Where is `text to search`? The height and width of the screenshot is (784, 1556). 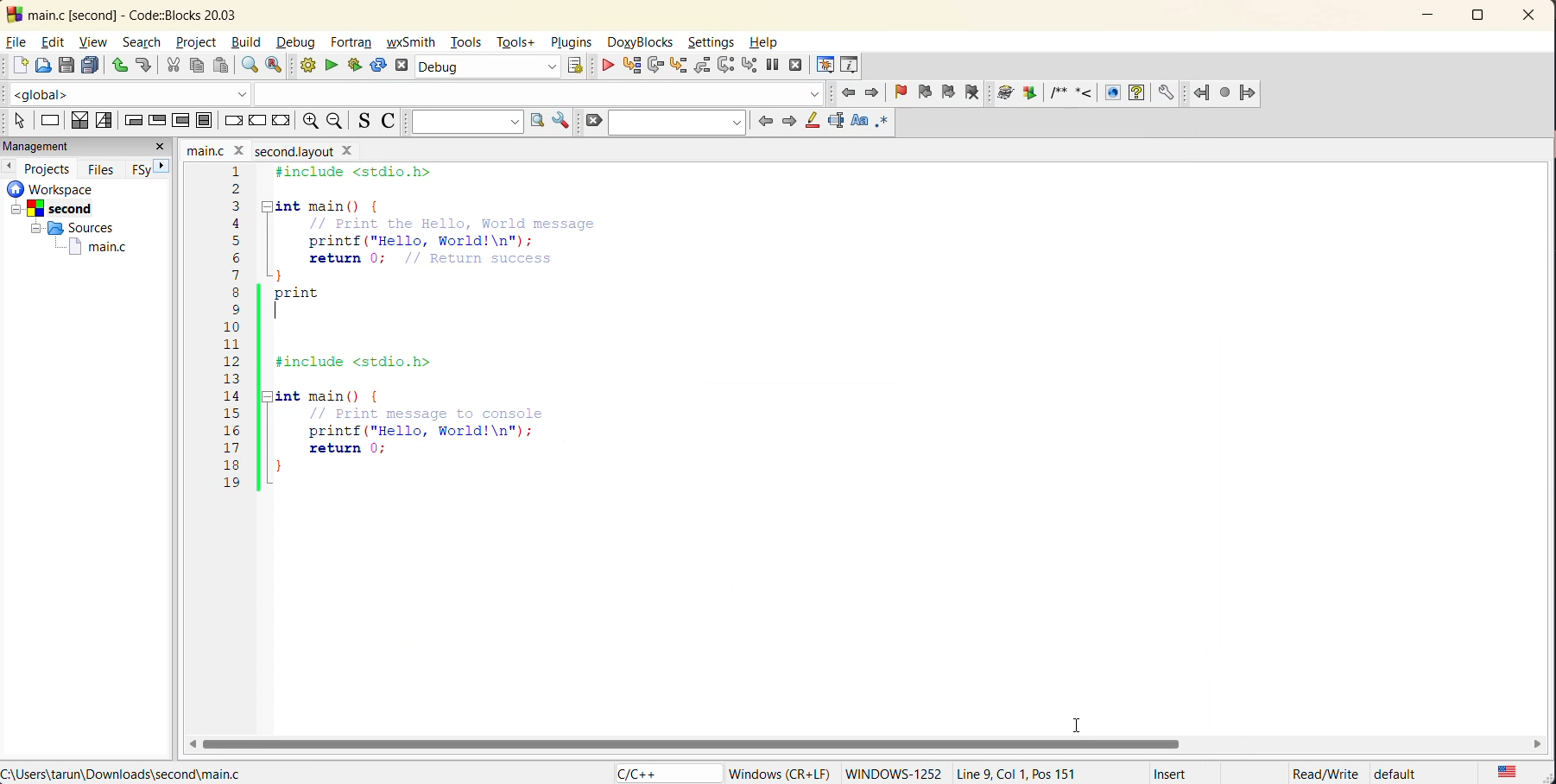
text to search is located at coordinates (465, 122).